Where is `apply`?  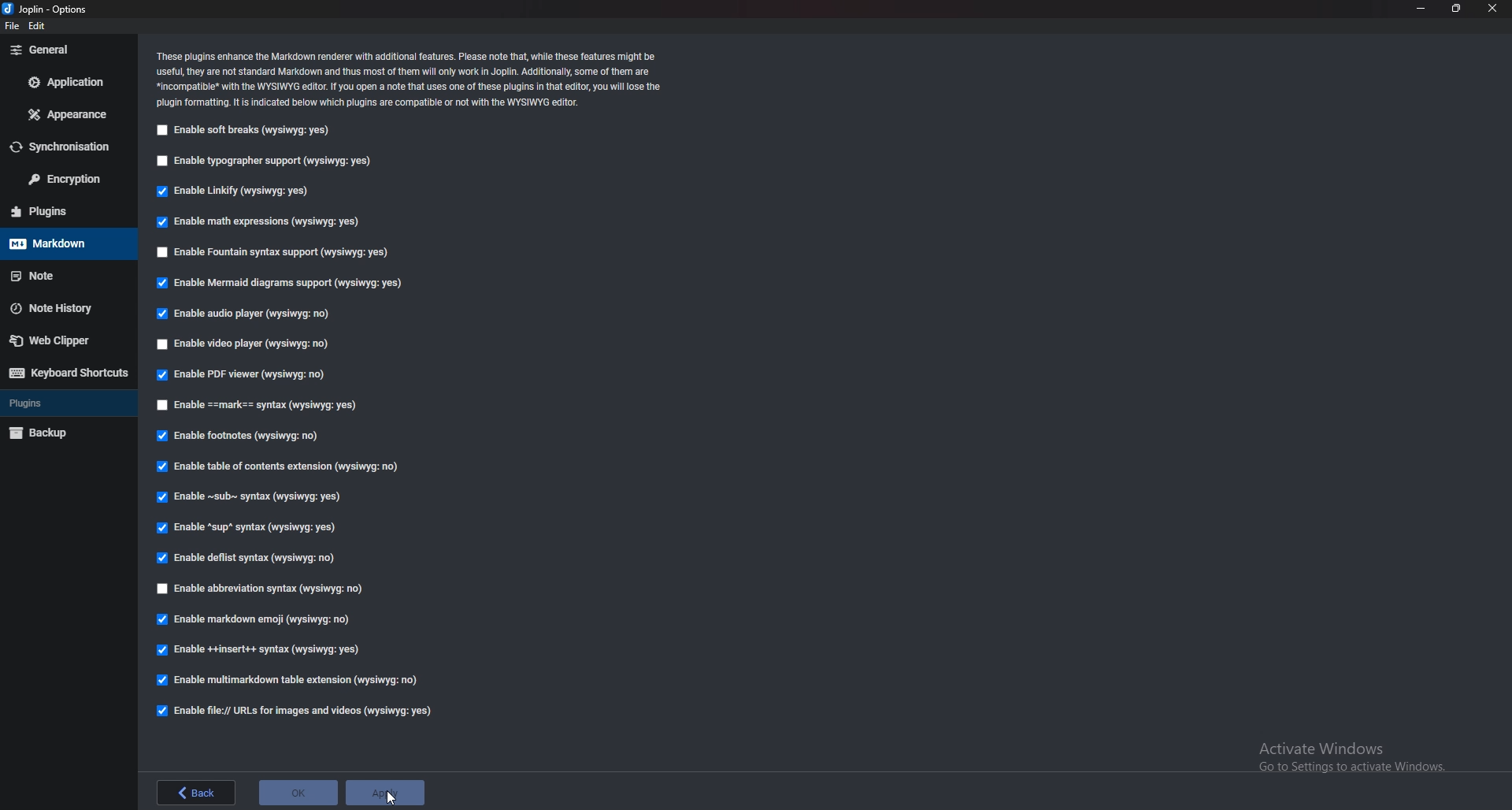 apply is located at coordinates (384, 794).